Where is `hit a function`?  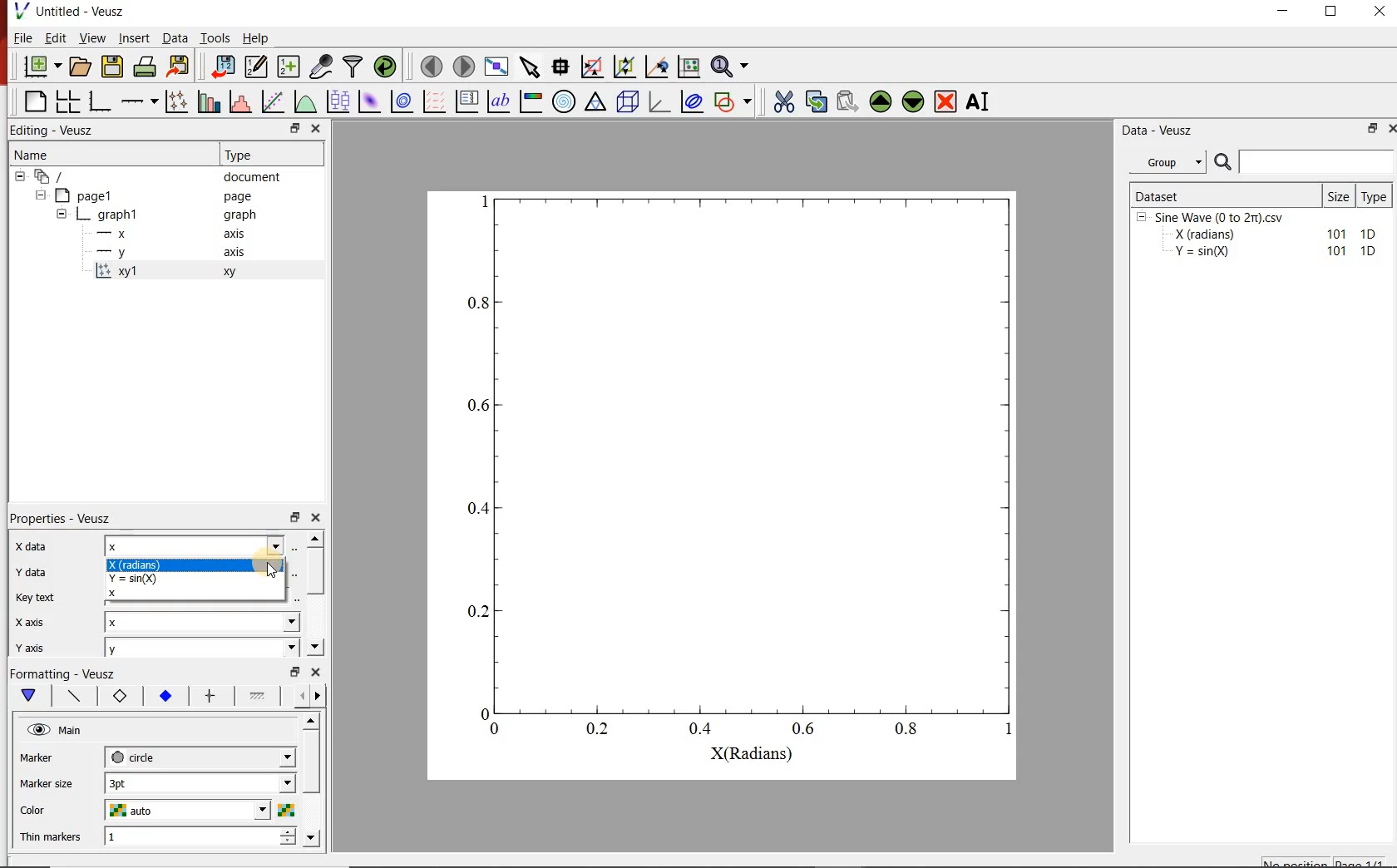
hit a function is located at coordinates (274, 101).